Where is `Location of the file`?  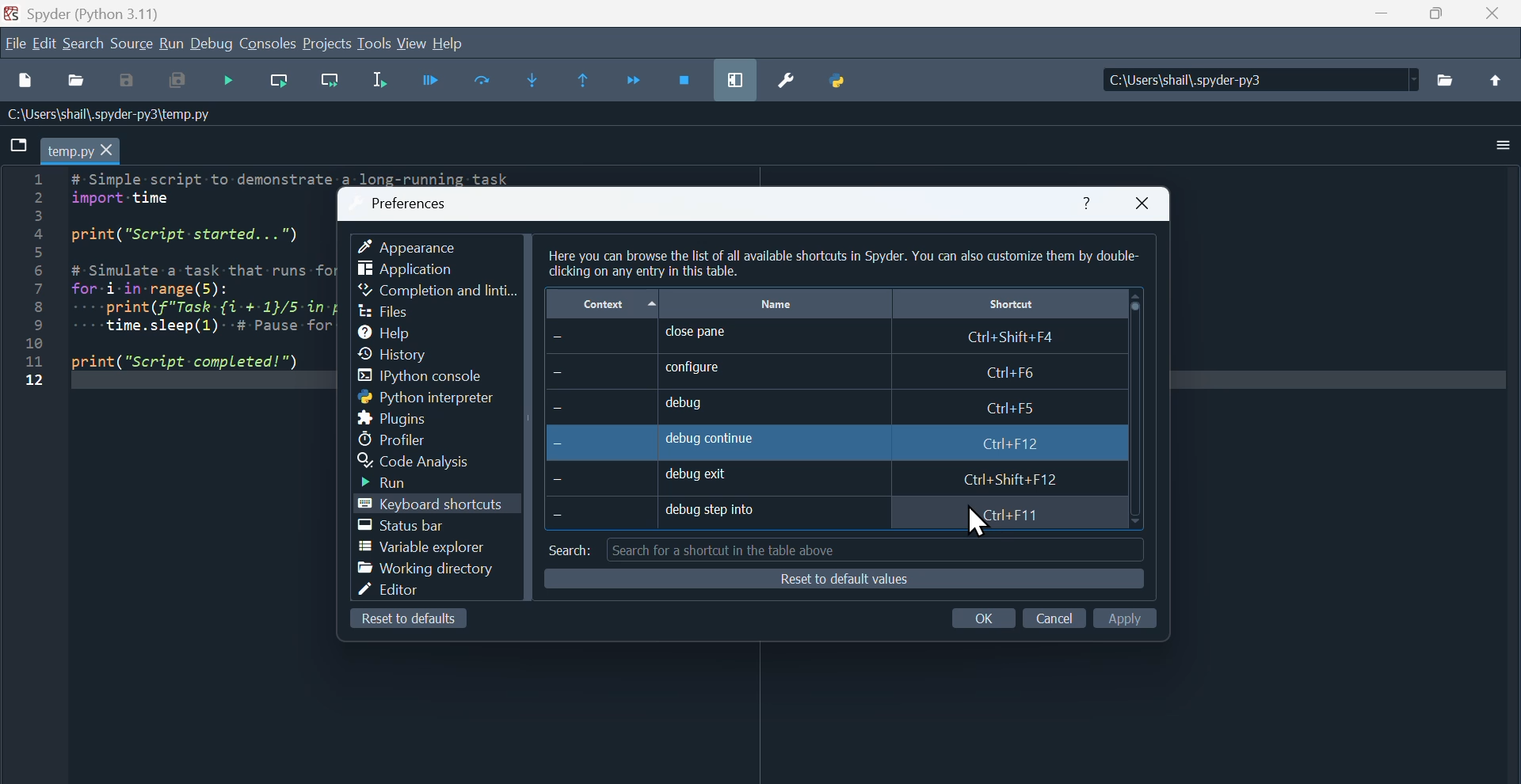 Location of the file is located at coordinates (1261, 79).